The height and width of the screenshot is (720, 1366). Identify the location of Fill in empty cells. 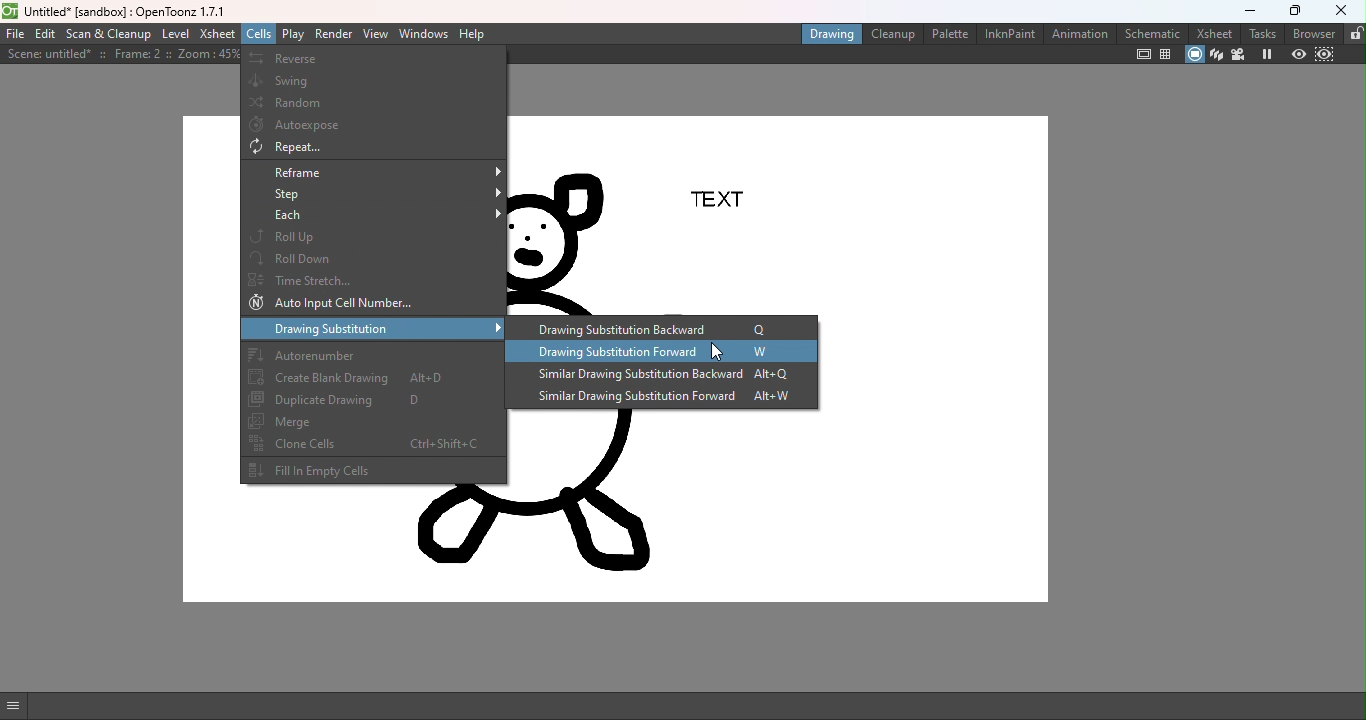
(376, 474).